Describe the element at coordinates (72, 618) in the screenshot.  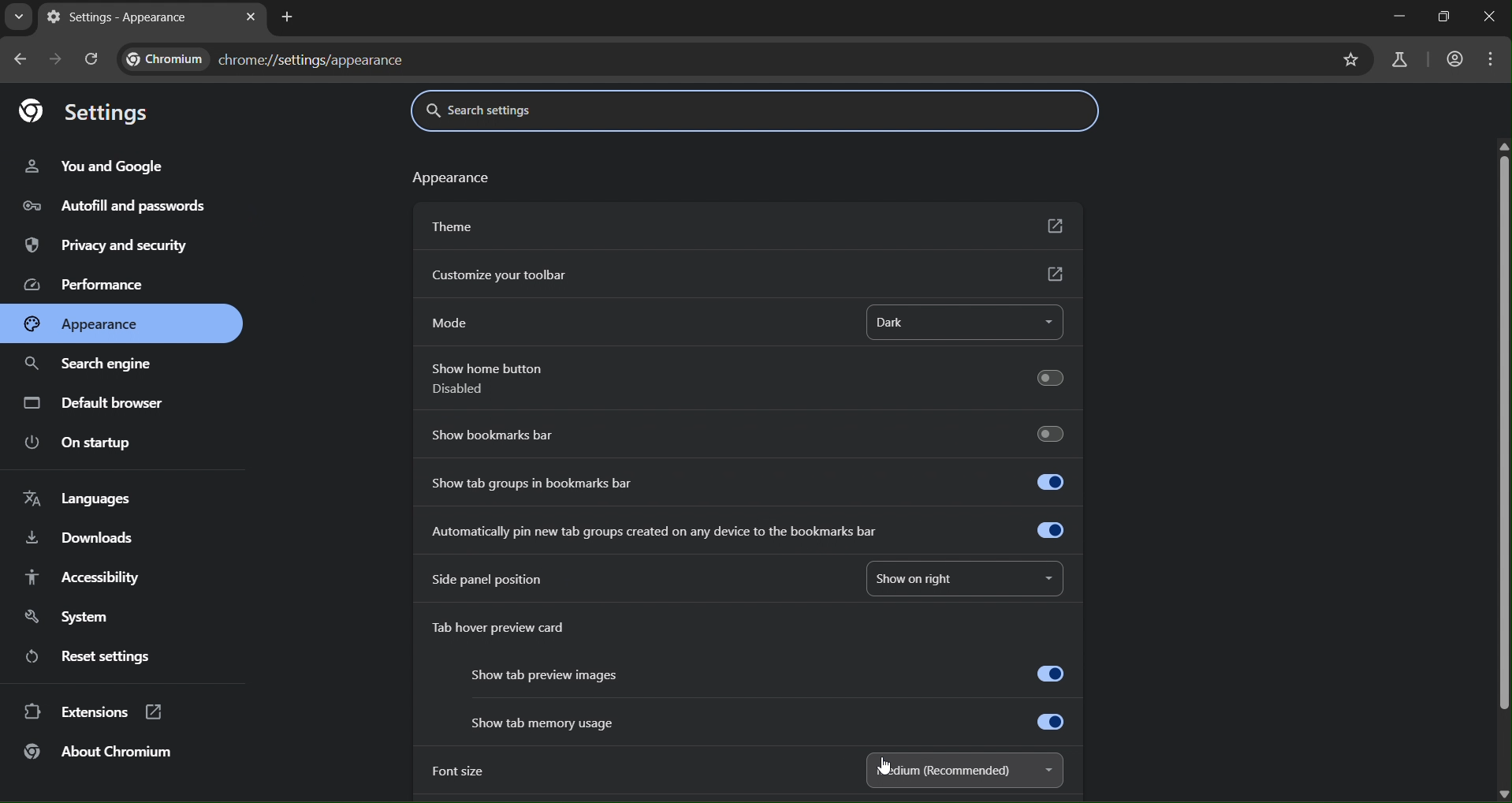
I see `system` at that location.